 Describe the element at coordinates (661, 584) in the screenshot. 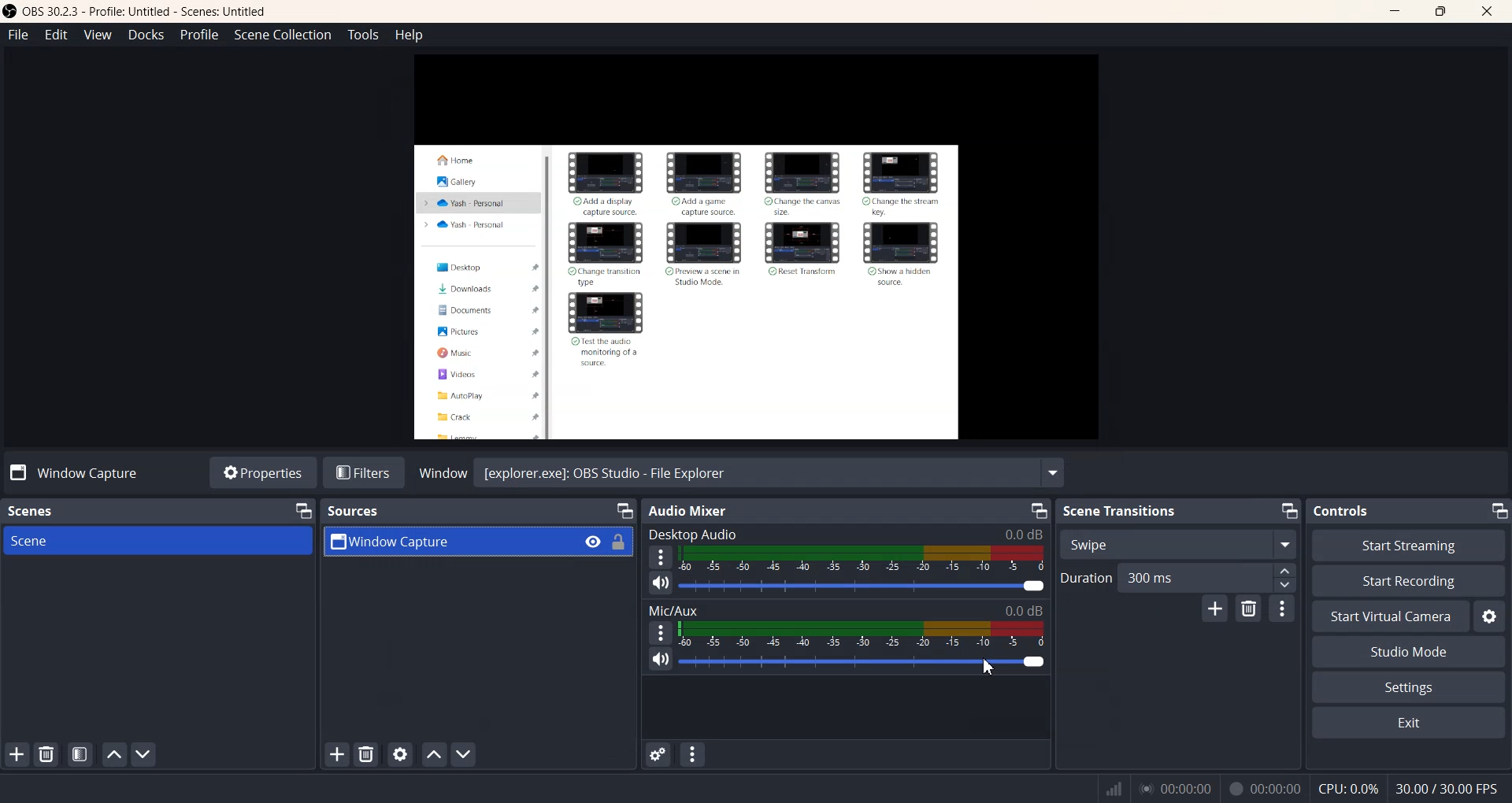

I see `Mute/ Unmute` at that location.